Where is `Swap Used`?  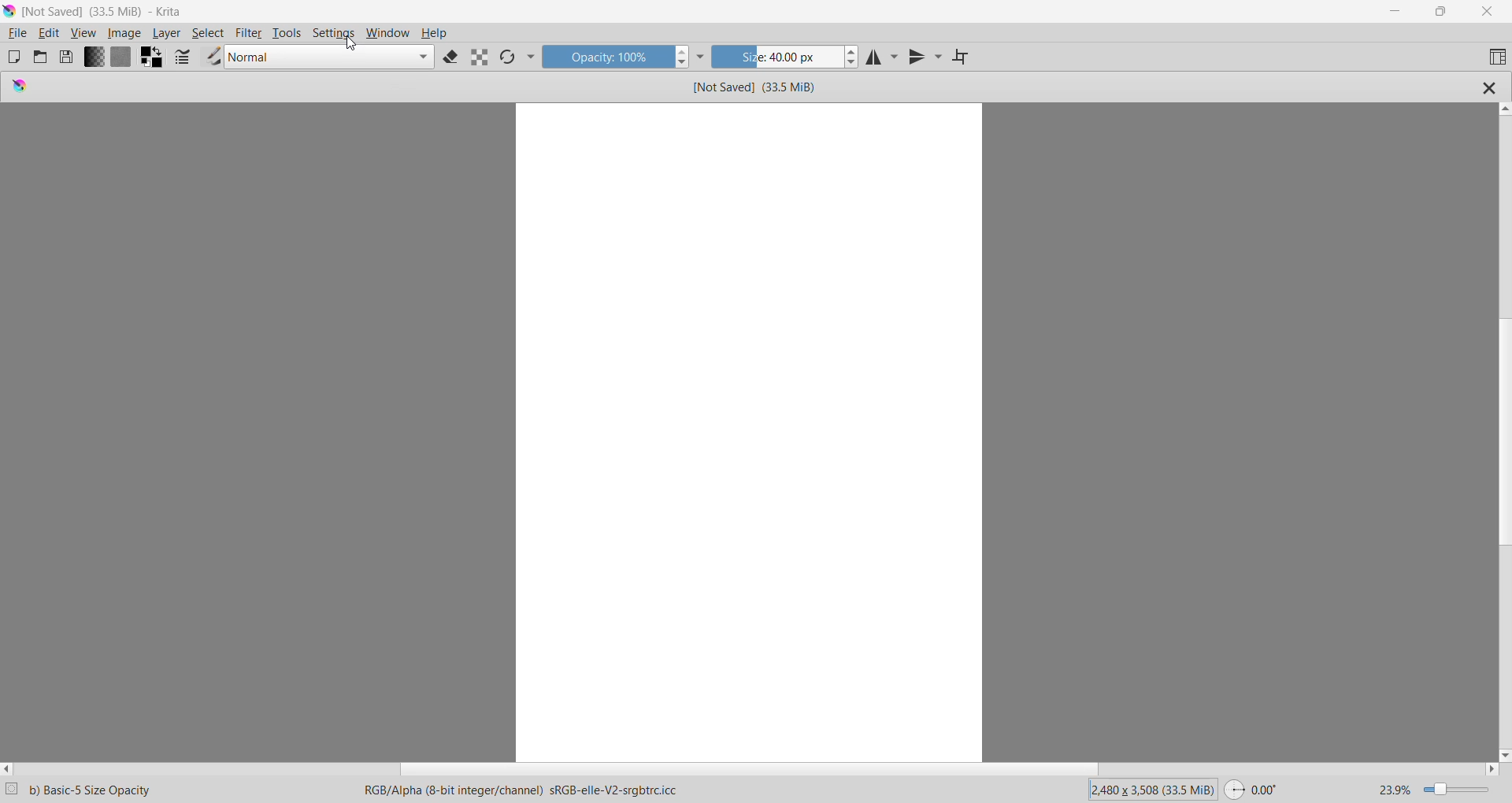
Swap Used is located at coordinates (1251, 791).